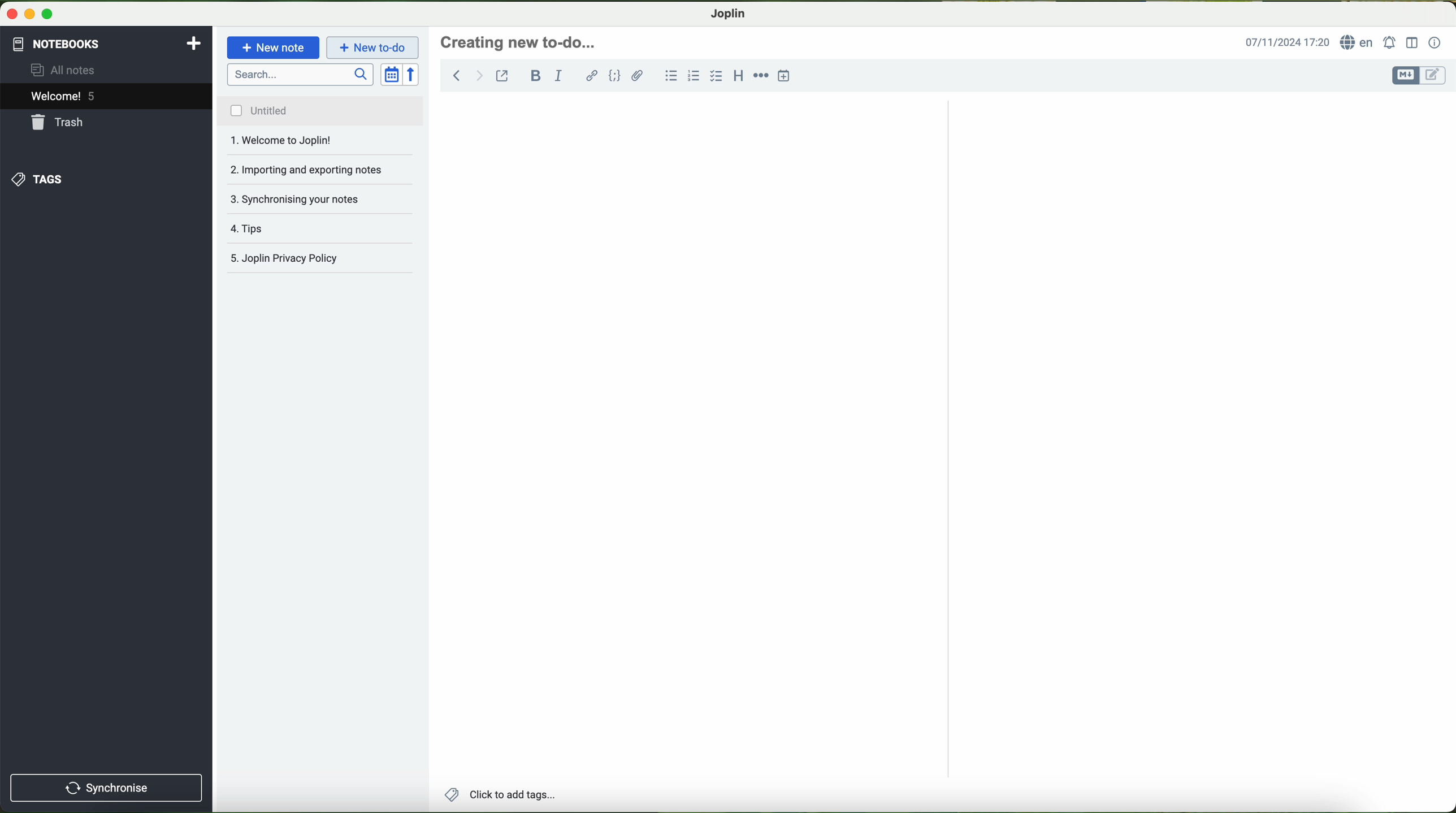  Describe the element at coordinates (669, 76) in the screenshot. I see `bulleted list` at that location.